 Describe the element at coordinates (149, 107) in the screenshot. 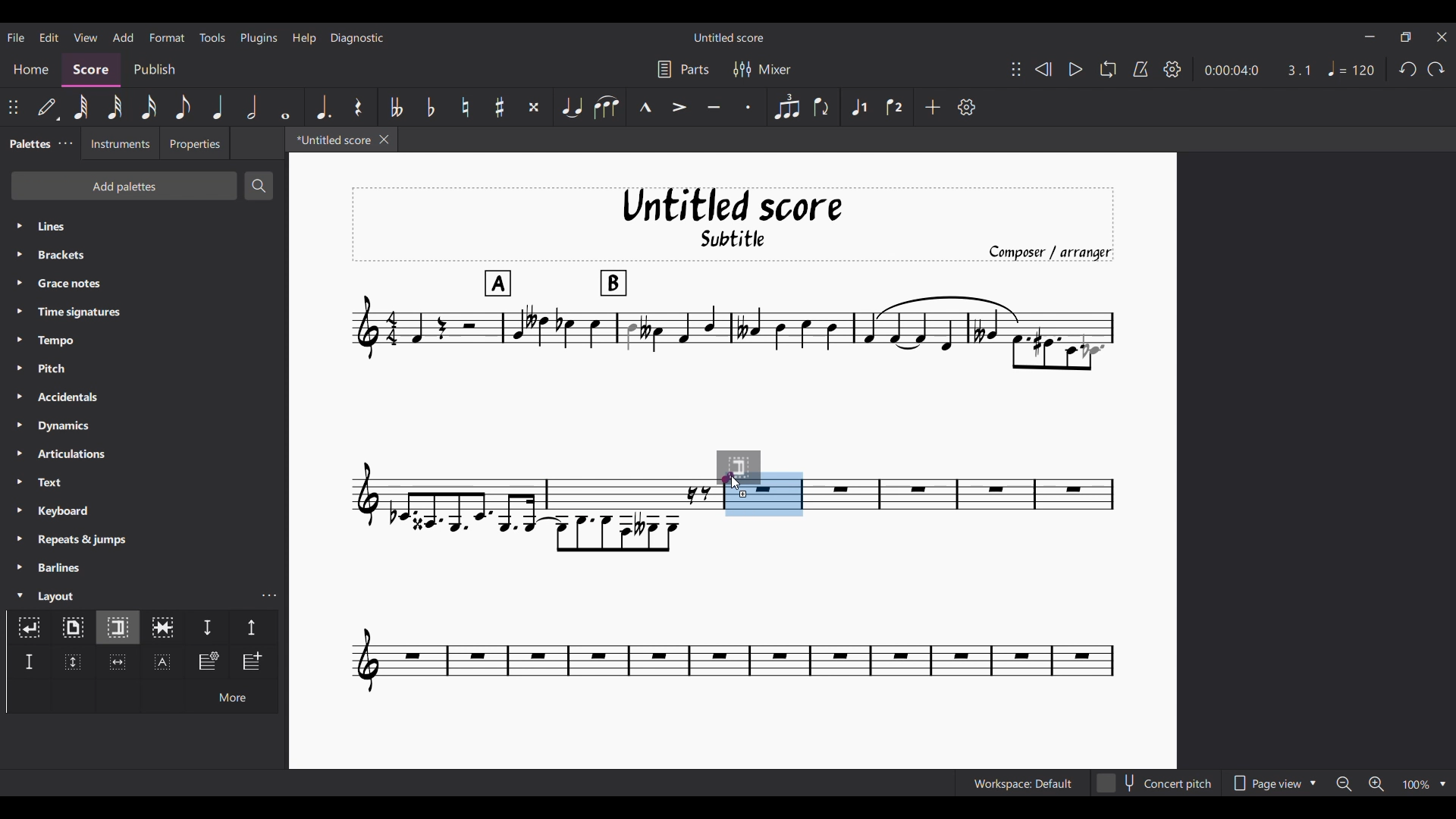

I see `16th note` at that location.